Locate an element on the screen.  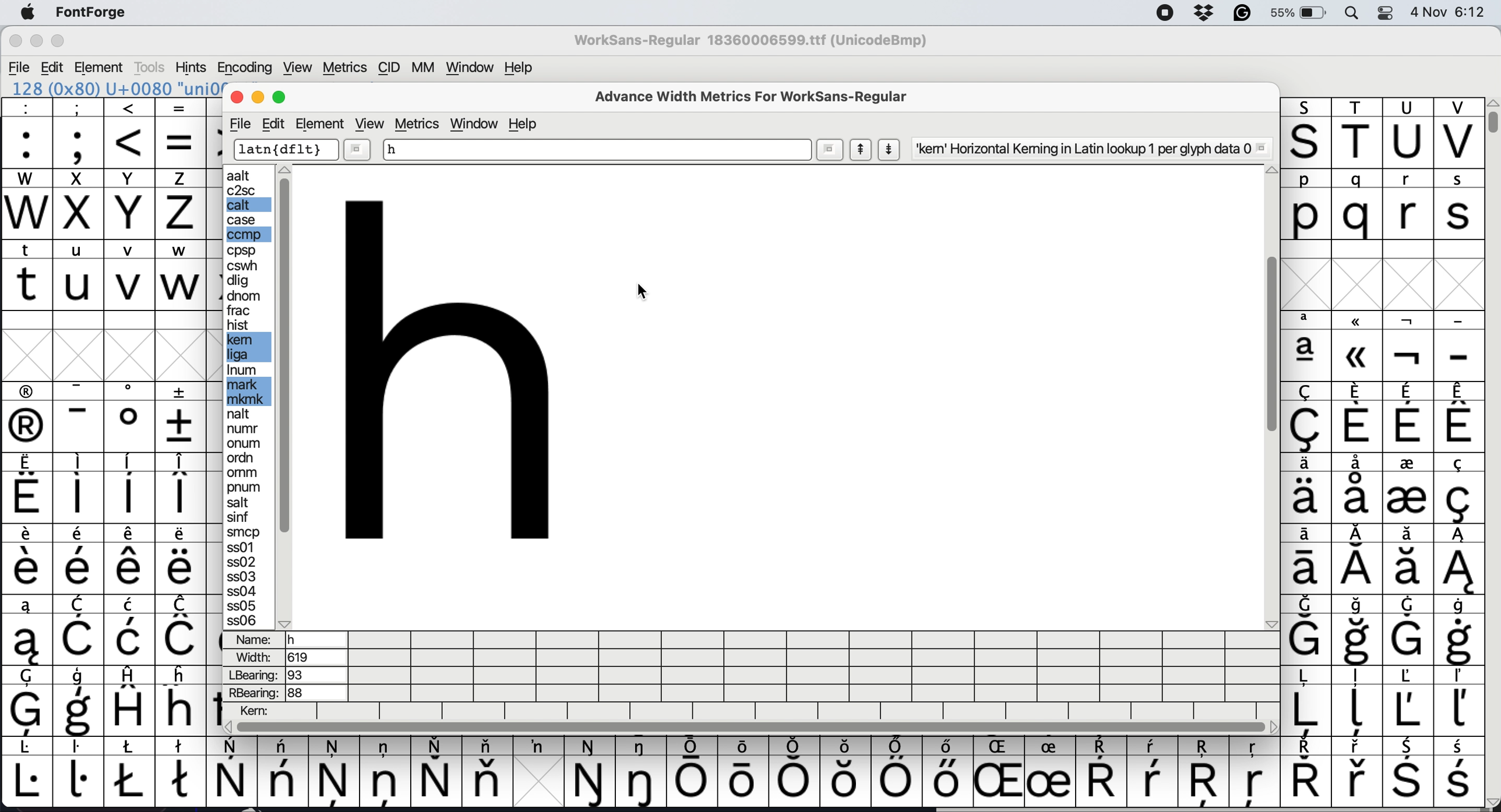
special characters is located at coordinates (102, 389).